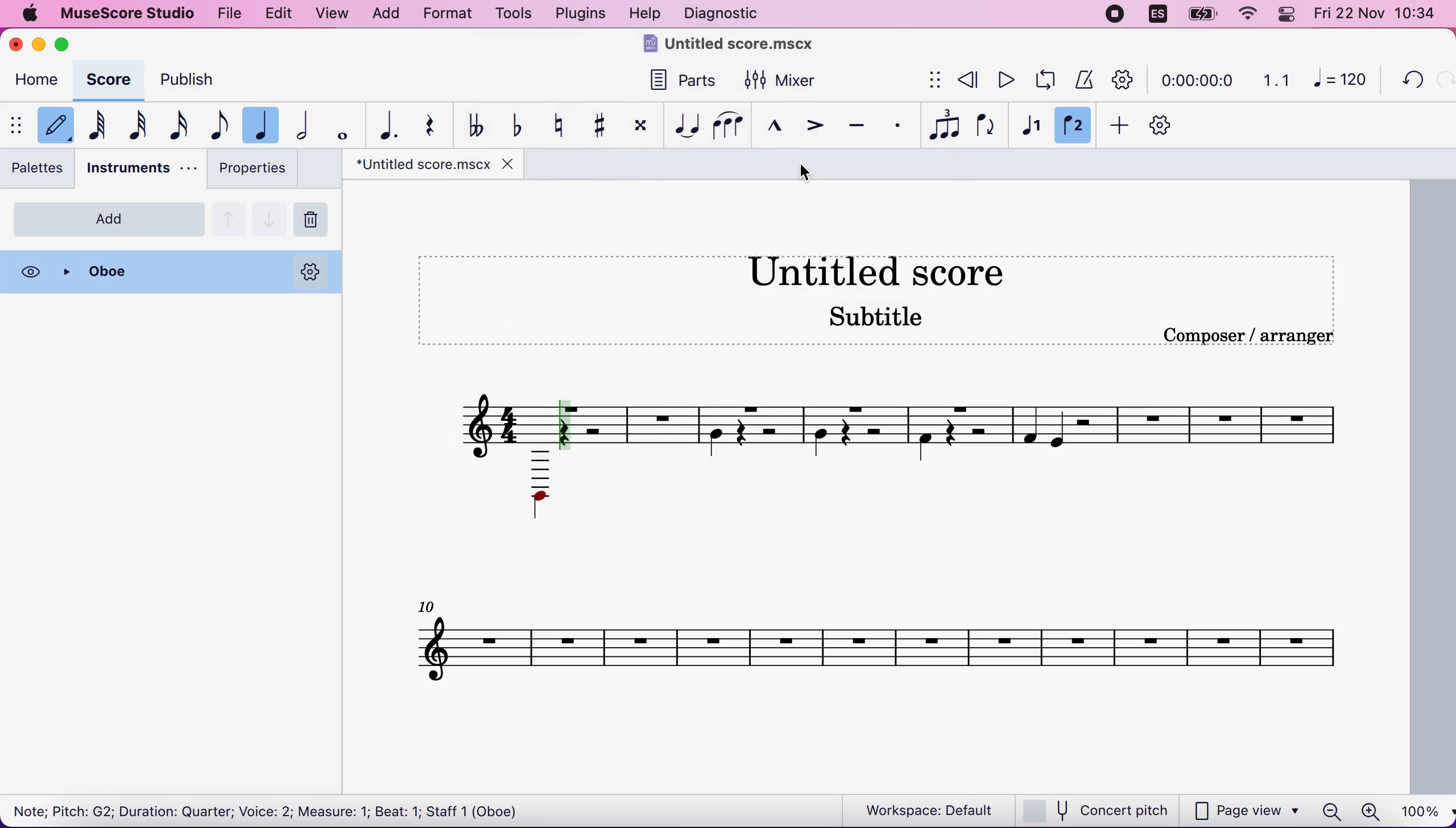 This screenshot has height=828, width=1456. I want to click on toggle double flat, so click(481, 123).